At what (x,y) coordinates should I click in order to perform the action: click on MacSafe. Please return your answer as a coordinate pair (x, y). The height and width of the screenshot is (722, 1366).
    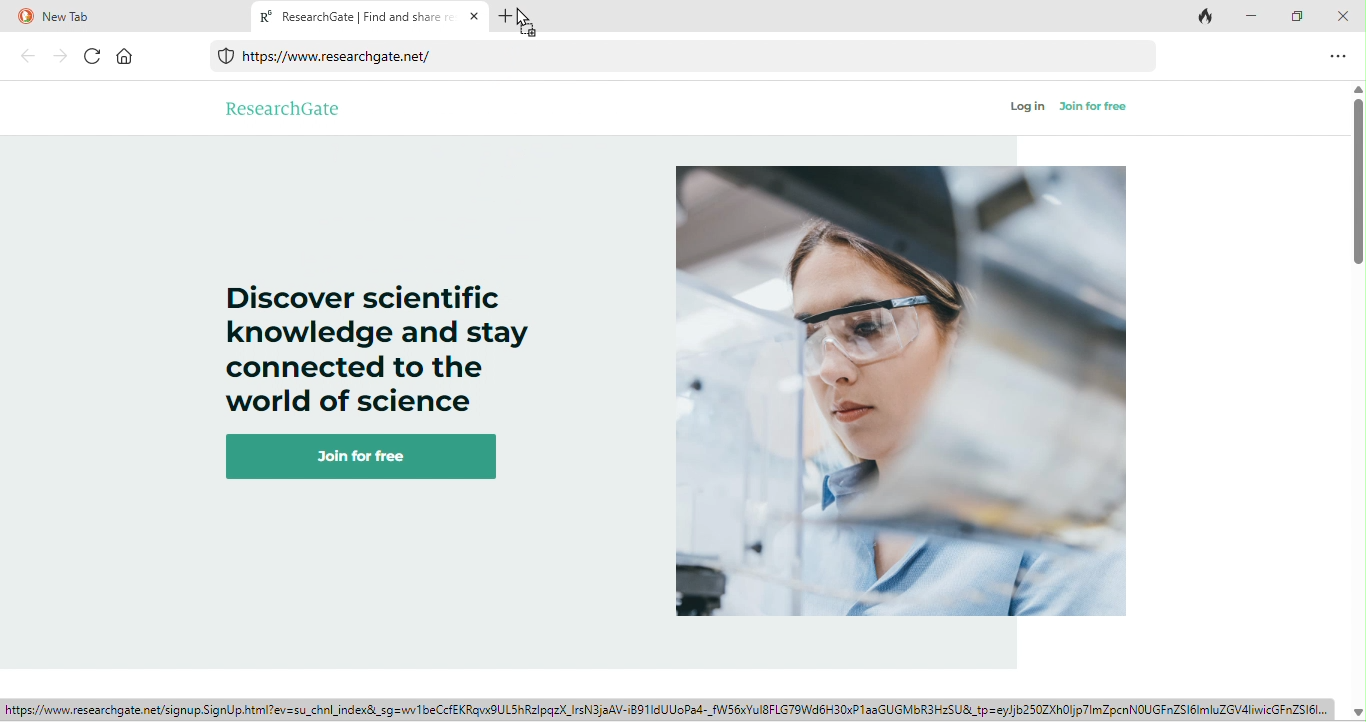
    Looking at the image, I should click on (226, 56).